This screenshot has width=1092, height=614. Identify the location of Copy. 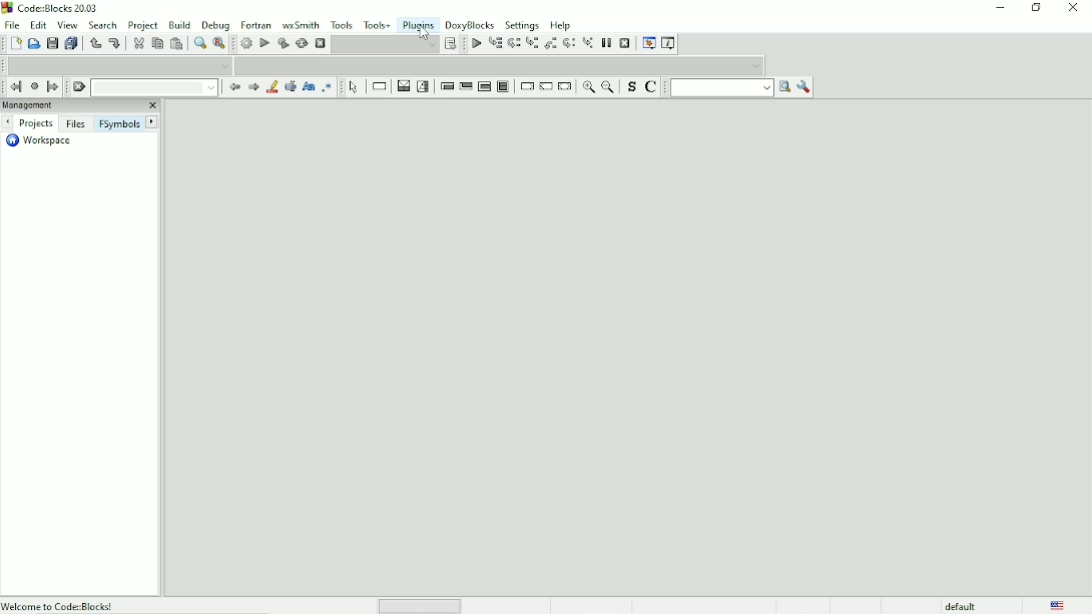
(157, 43).